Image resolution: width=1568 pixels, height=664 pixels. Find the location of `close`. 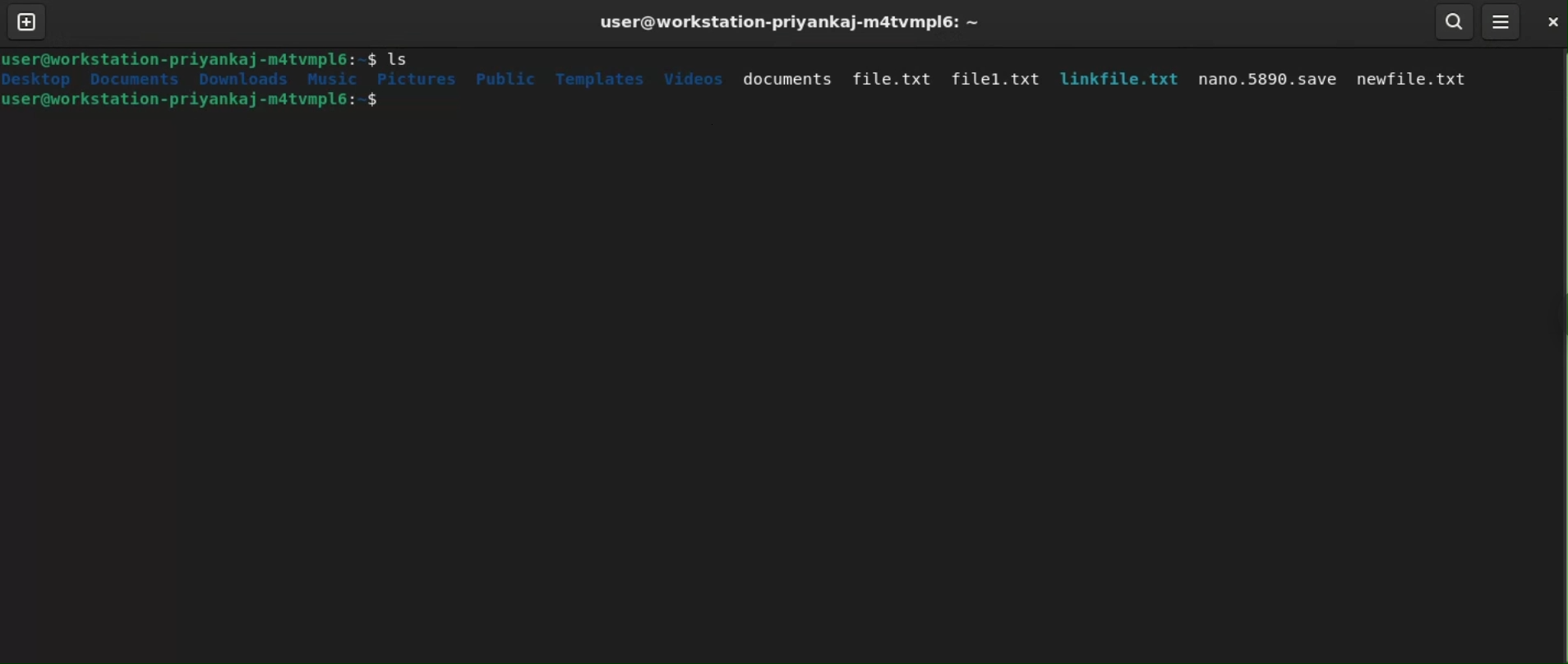

close is located at coordinates (1547, 21).